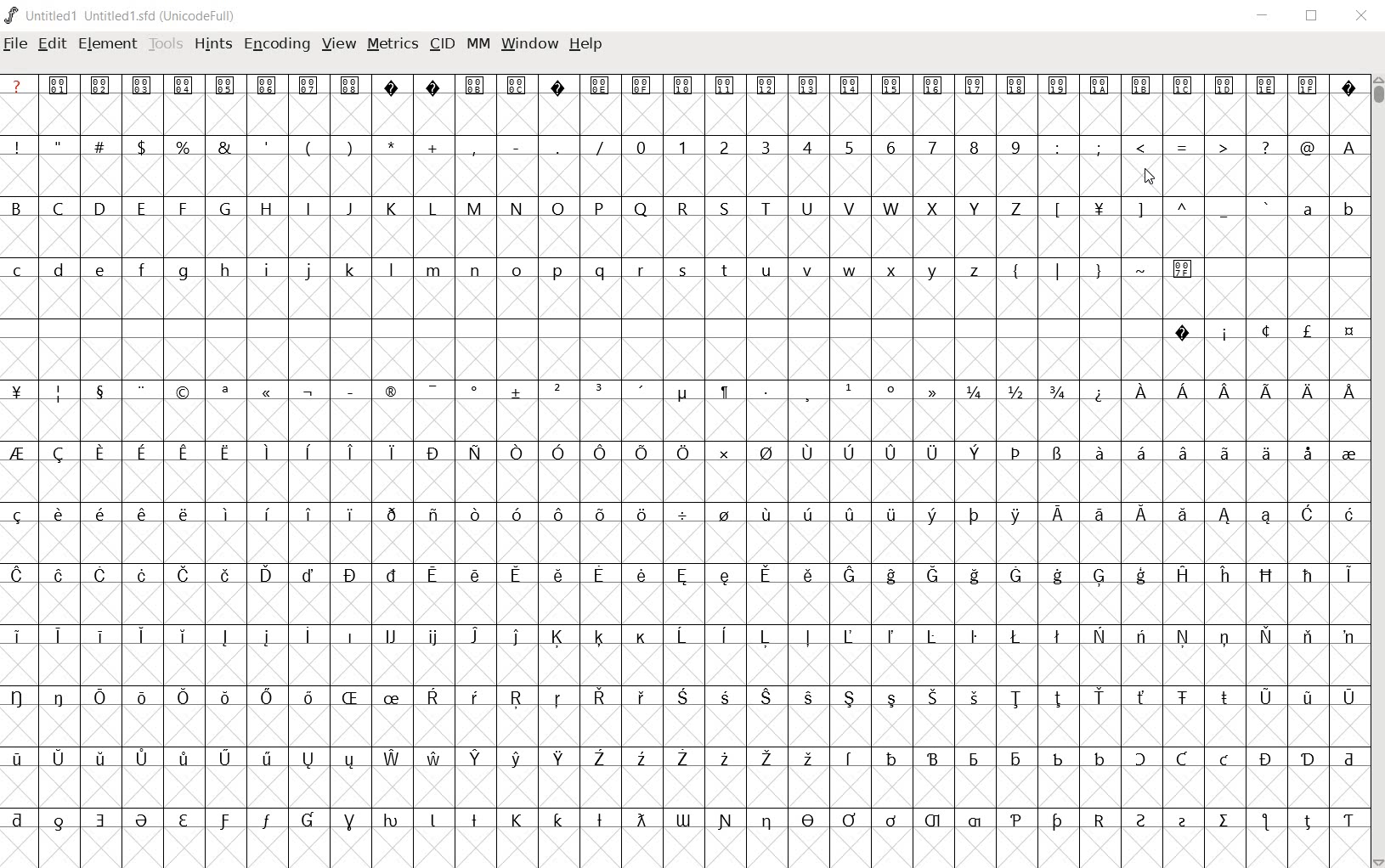 Image resolution: width=1385 pixels, height=868 pixels. I want to click on hints, so click(212, 48).